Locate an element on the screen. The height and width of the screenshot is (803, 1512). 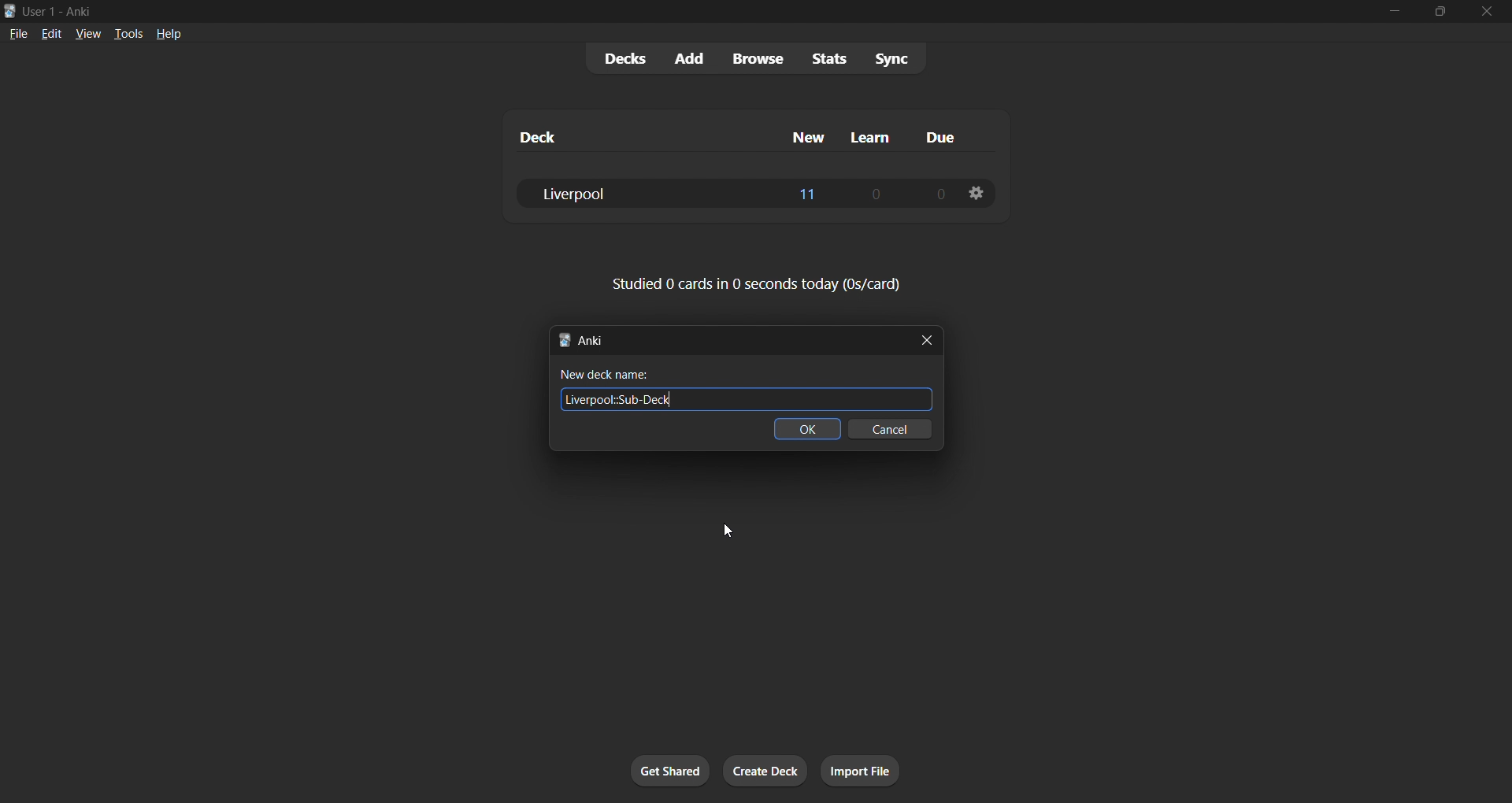
ok is located at coordinates (808, 428).